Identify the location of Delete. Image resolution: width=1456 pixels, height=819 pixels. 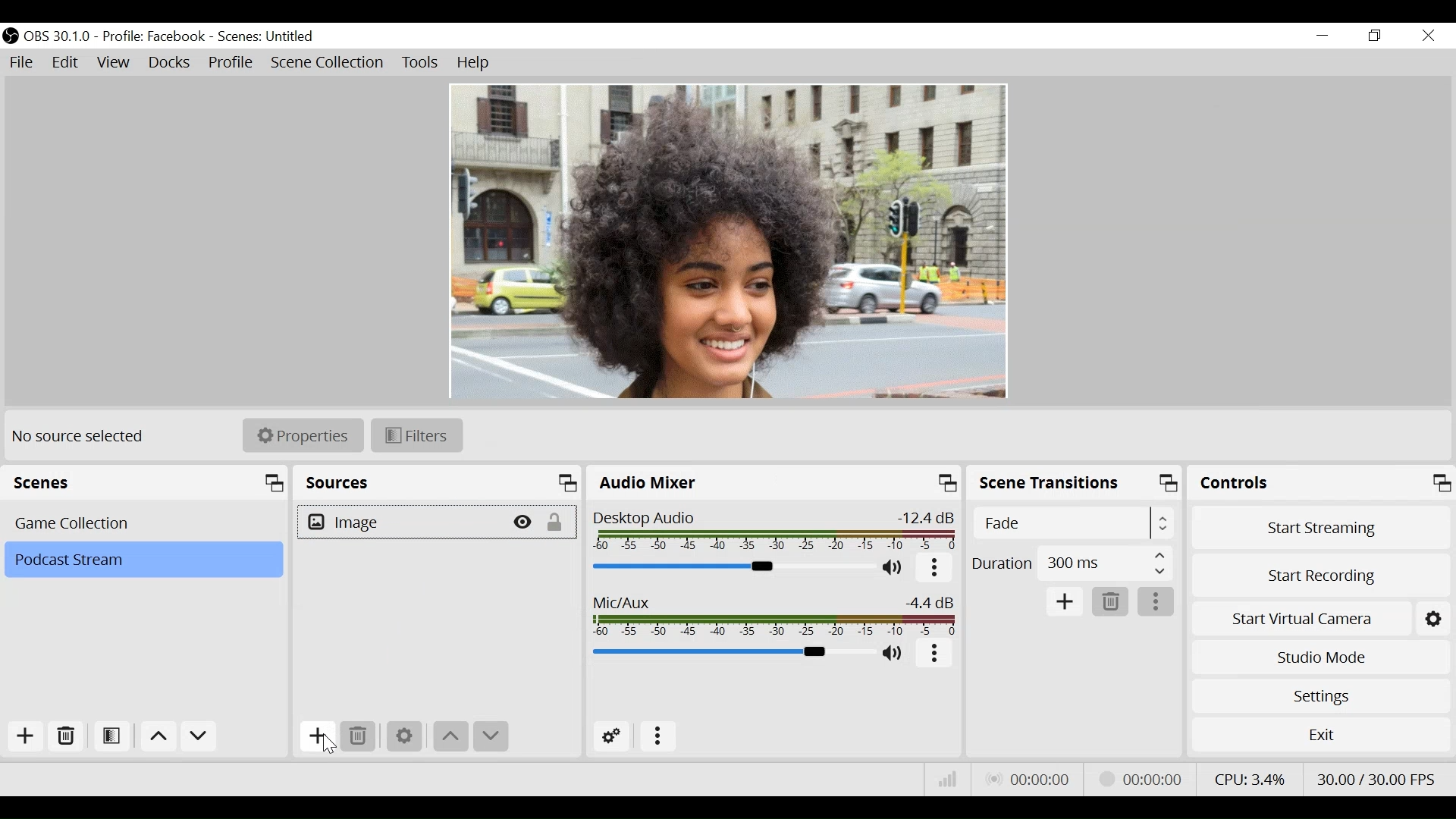
(360, 737).